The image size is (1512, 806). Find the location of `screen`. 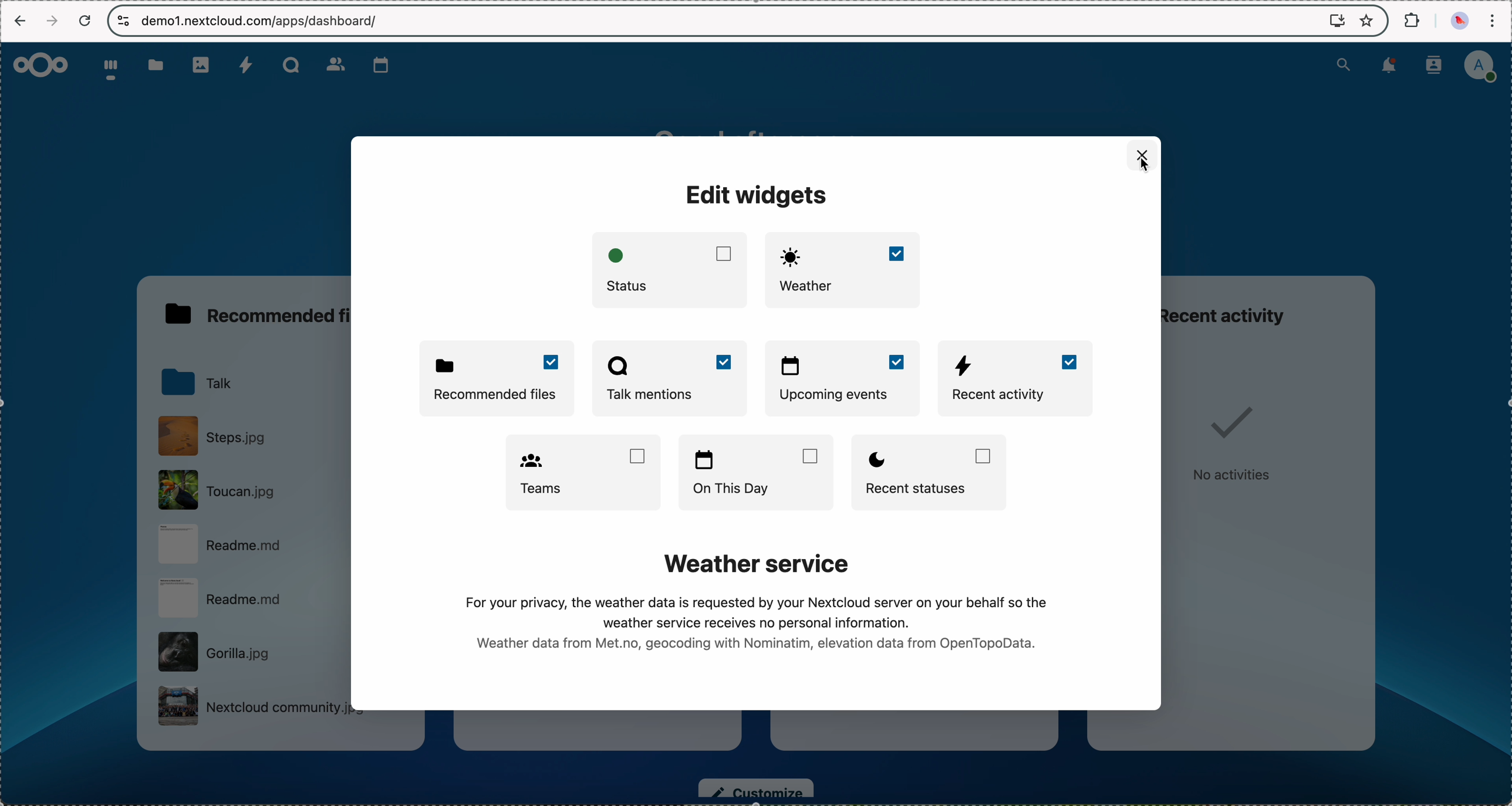

screen is located at coordinates (1337, 21).